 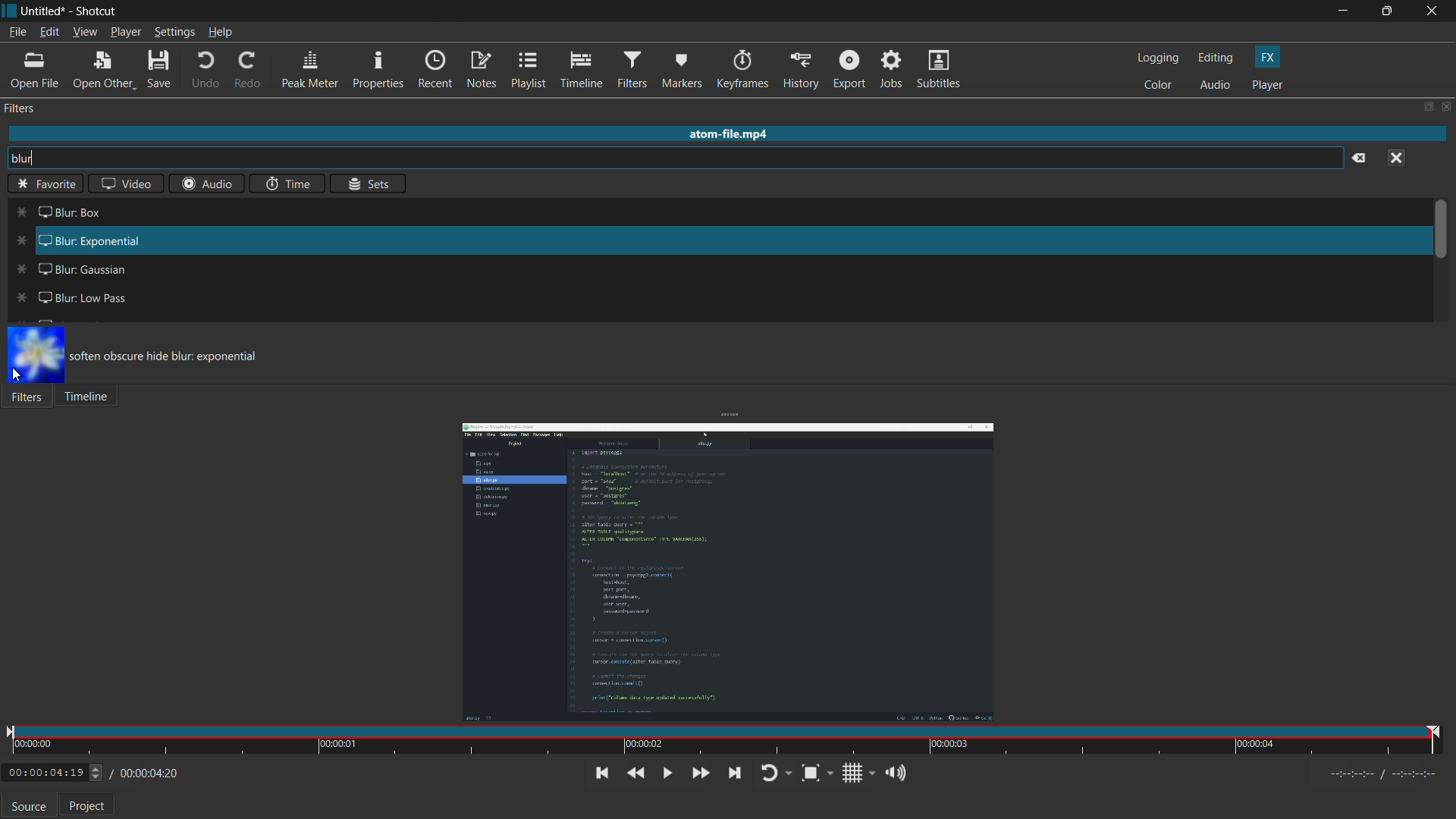 What do you see at coordinates (1376, 777) in the screenshot?
I see `Timecodes` at bounding box center [1376, 777].